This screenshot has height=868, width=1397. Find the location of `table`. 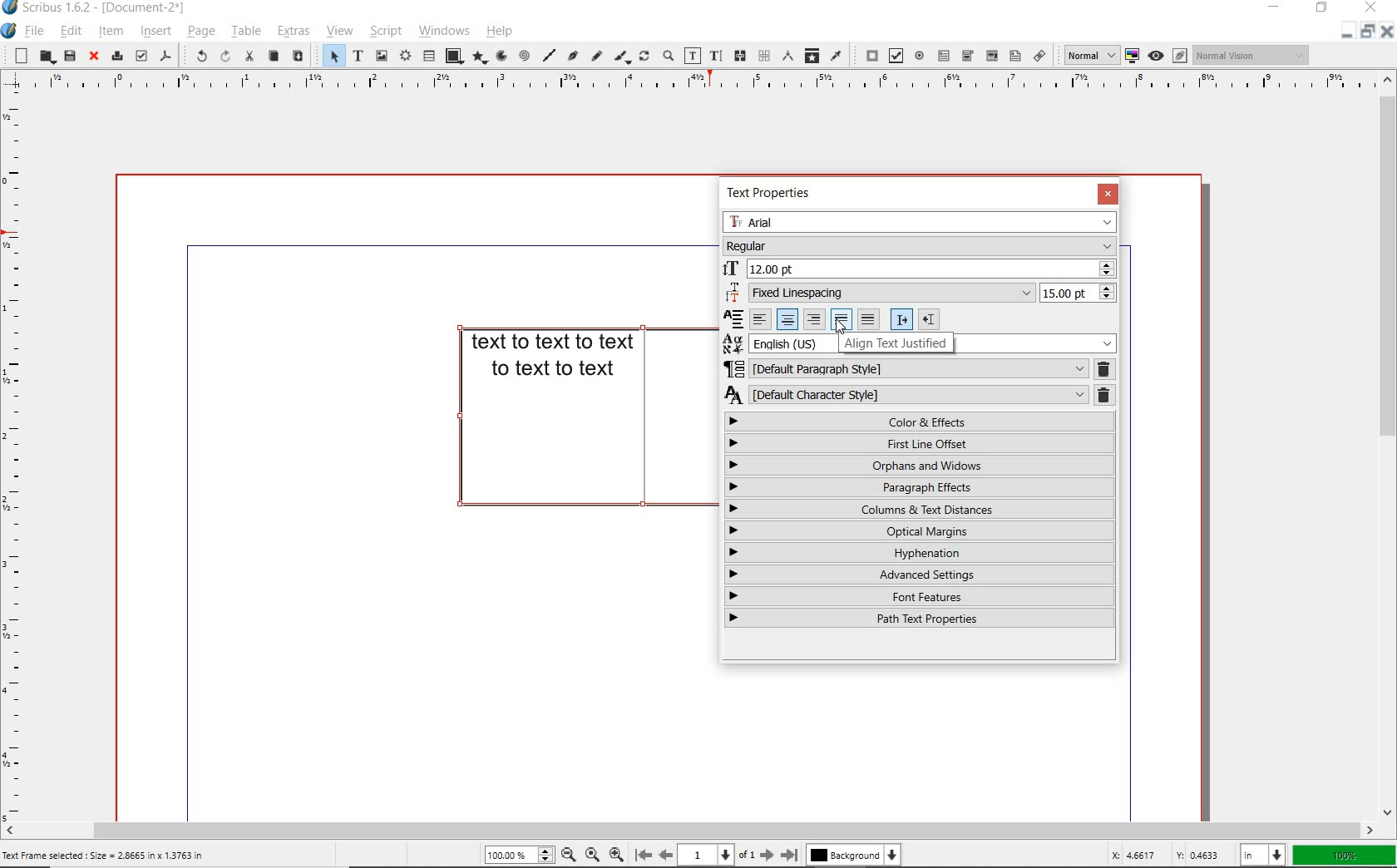

table is located at coordinates (244, 32).